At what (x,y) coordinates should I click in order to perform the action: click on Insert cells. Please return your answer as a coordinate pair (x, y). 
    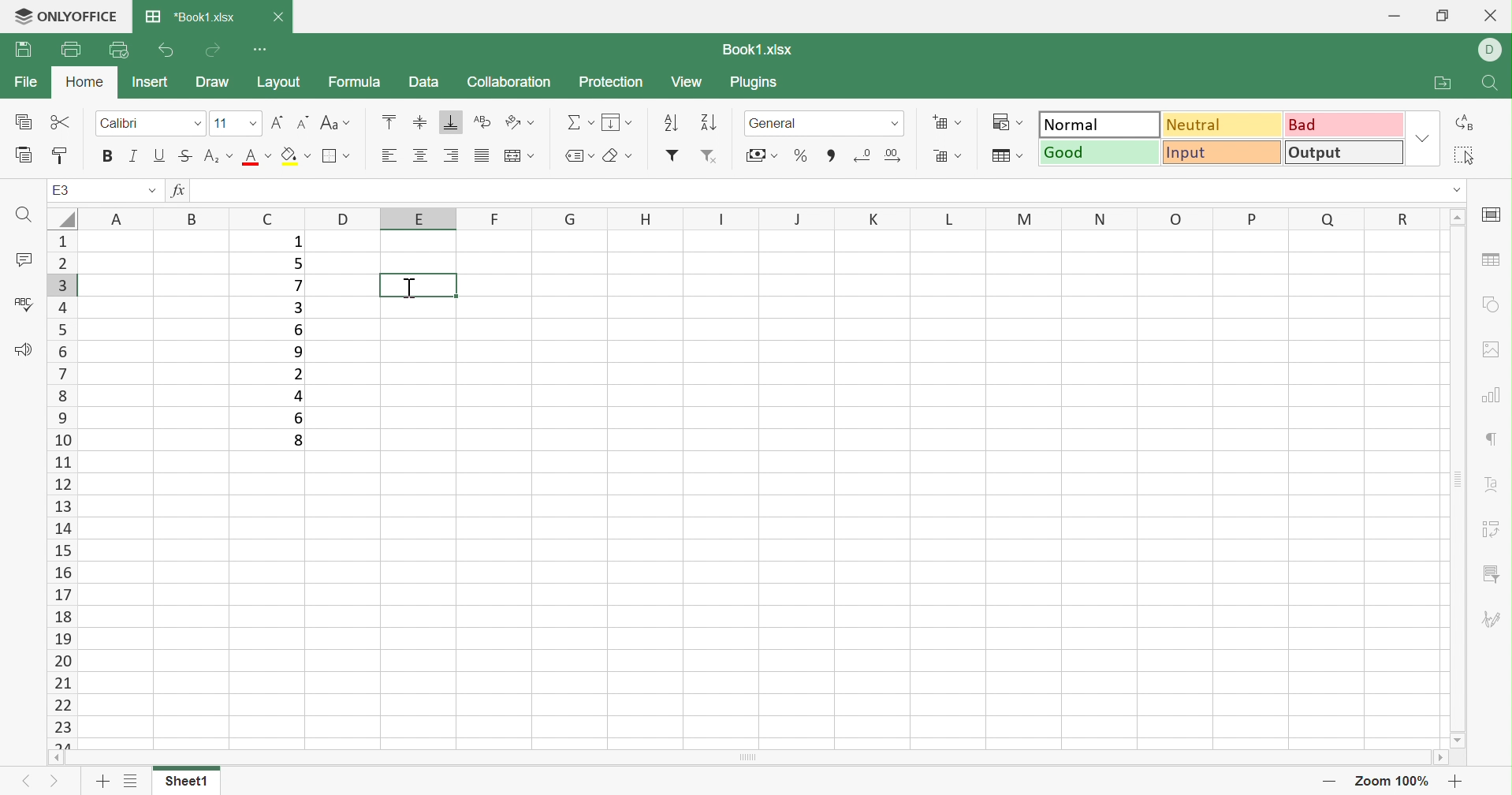
    Looking at the image, I should click on (948, 121).